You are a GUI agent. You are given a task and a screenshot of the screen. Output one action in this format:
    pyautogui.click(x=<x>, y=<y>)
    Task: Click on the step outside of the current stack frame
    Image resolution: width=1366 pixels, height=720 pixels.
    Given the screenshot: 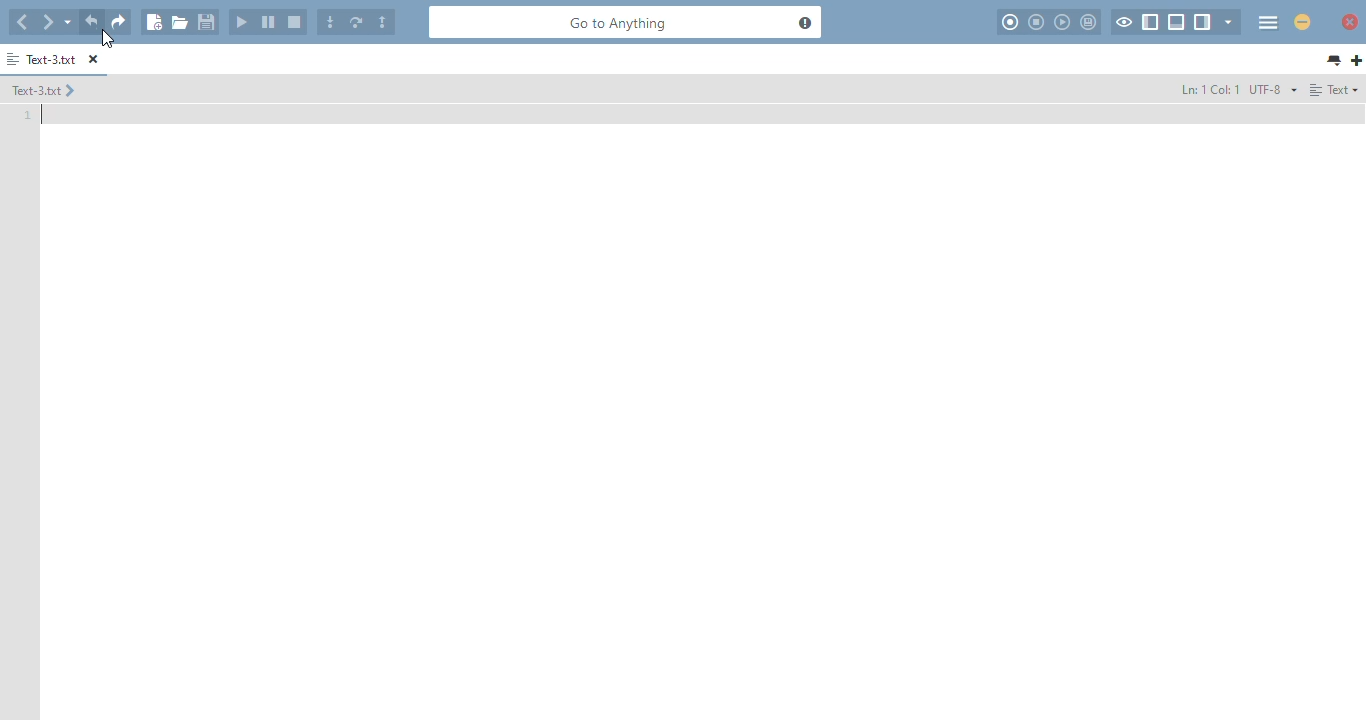 What is the action you would take?
    pyautogui.click(x=382, y=22)
    